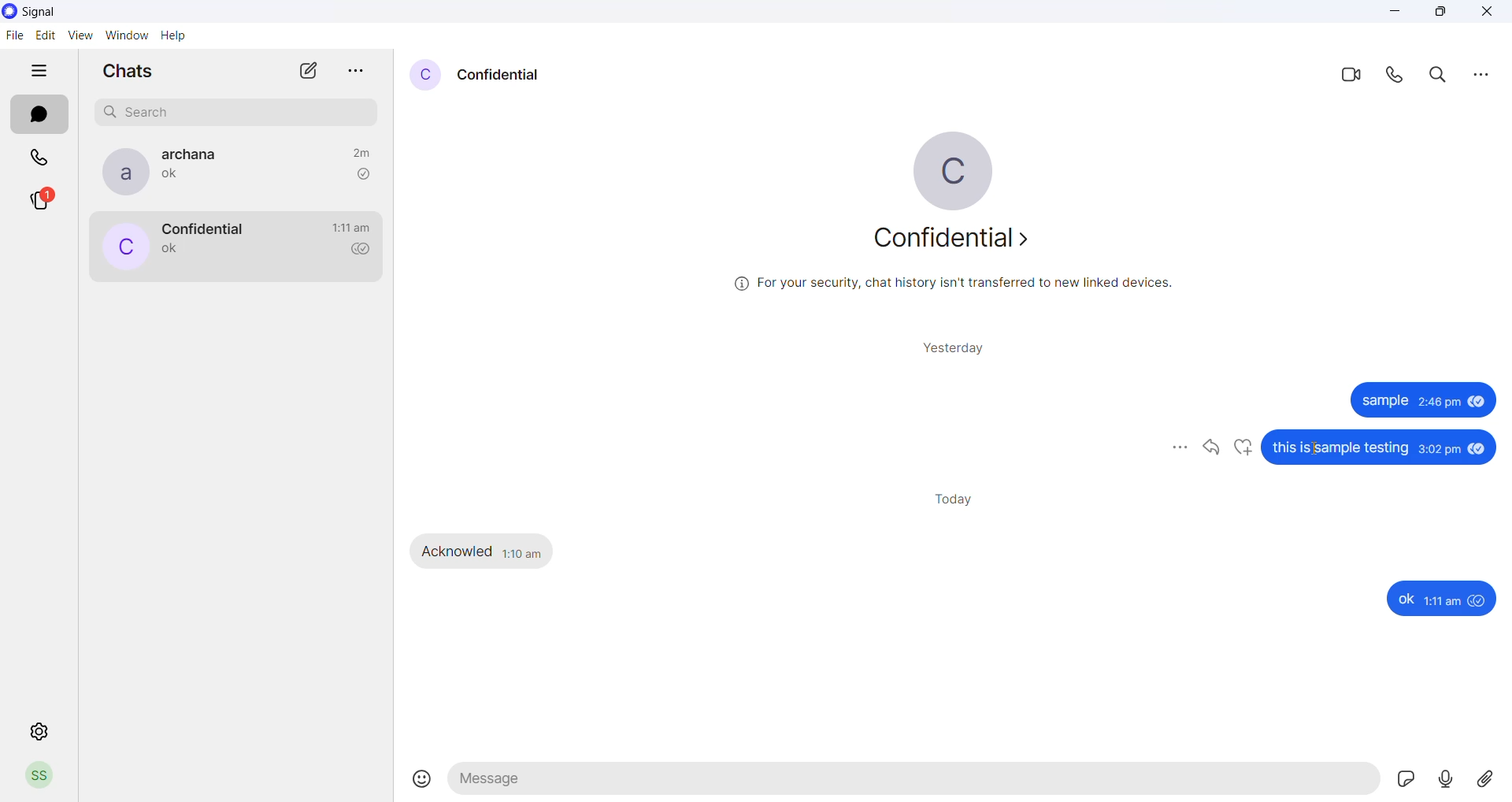 The width and height of the screenshot is (1512, 802). Describe the element at coordinates (365, 251) in the screenshot. I see `read recipient` at that location.